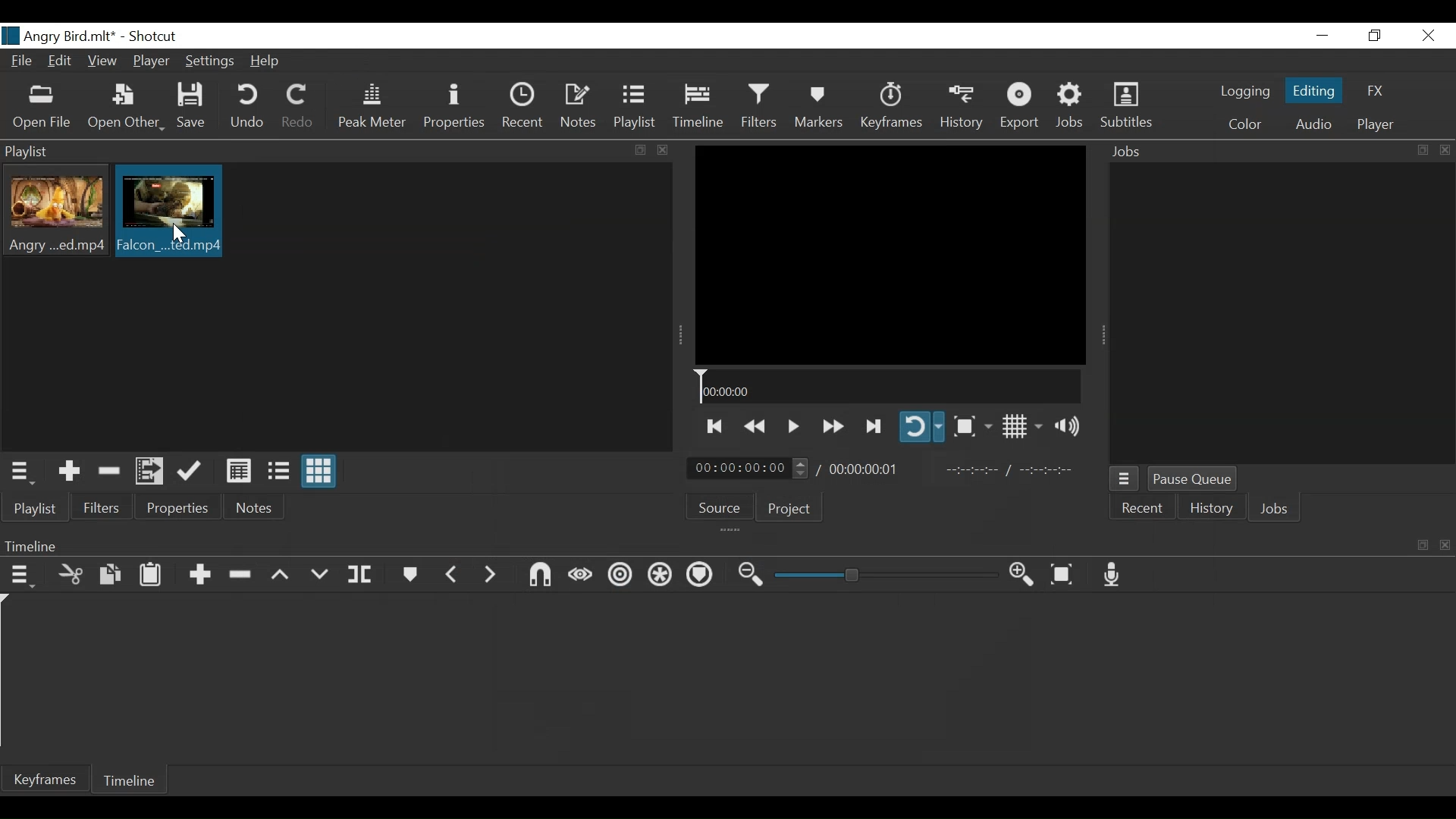 The image size is (1456, 819). Describe the element at coordinates (320, 575) in the screenshot. I see `Overwrite` at that location.